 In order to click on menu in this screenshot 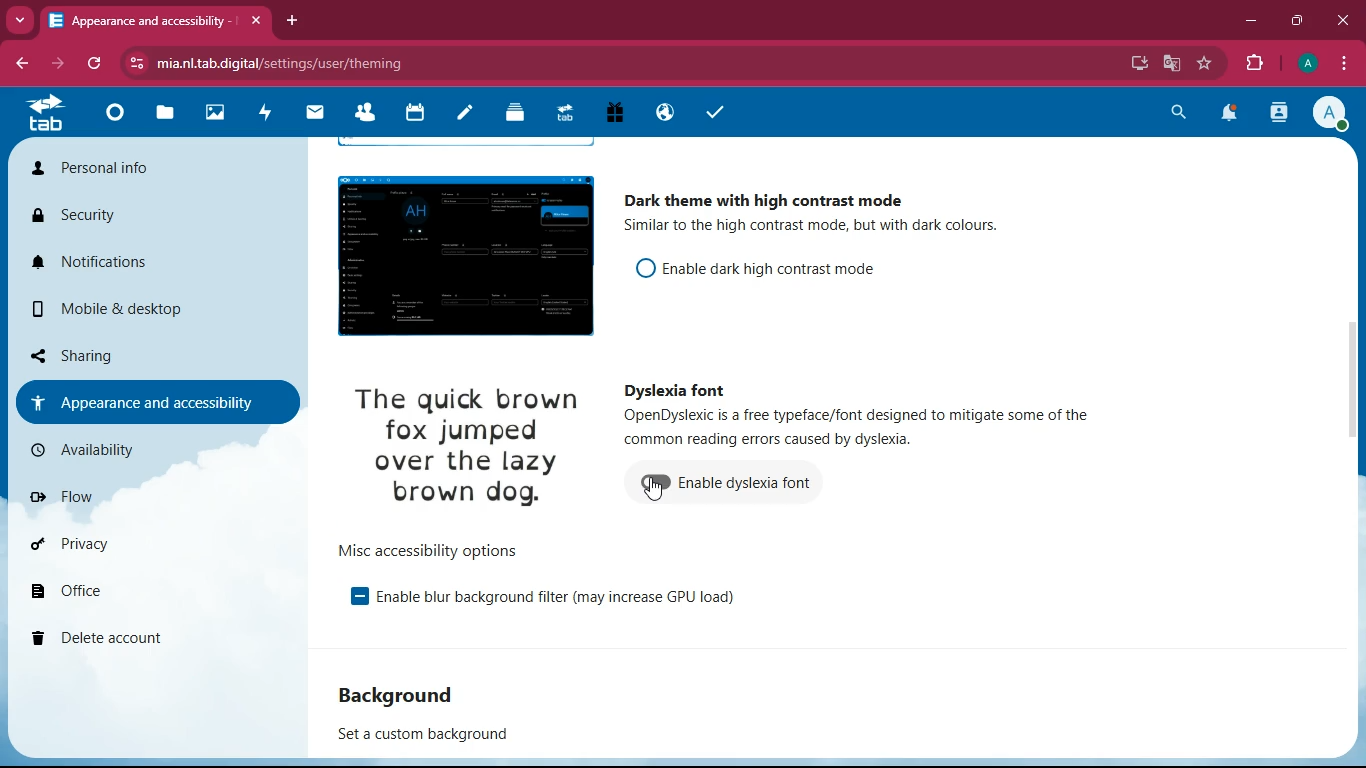, I will do `click(1338, 63)`.